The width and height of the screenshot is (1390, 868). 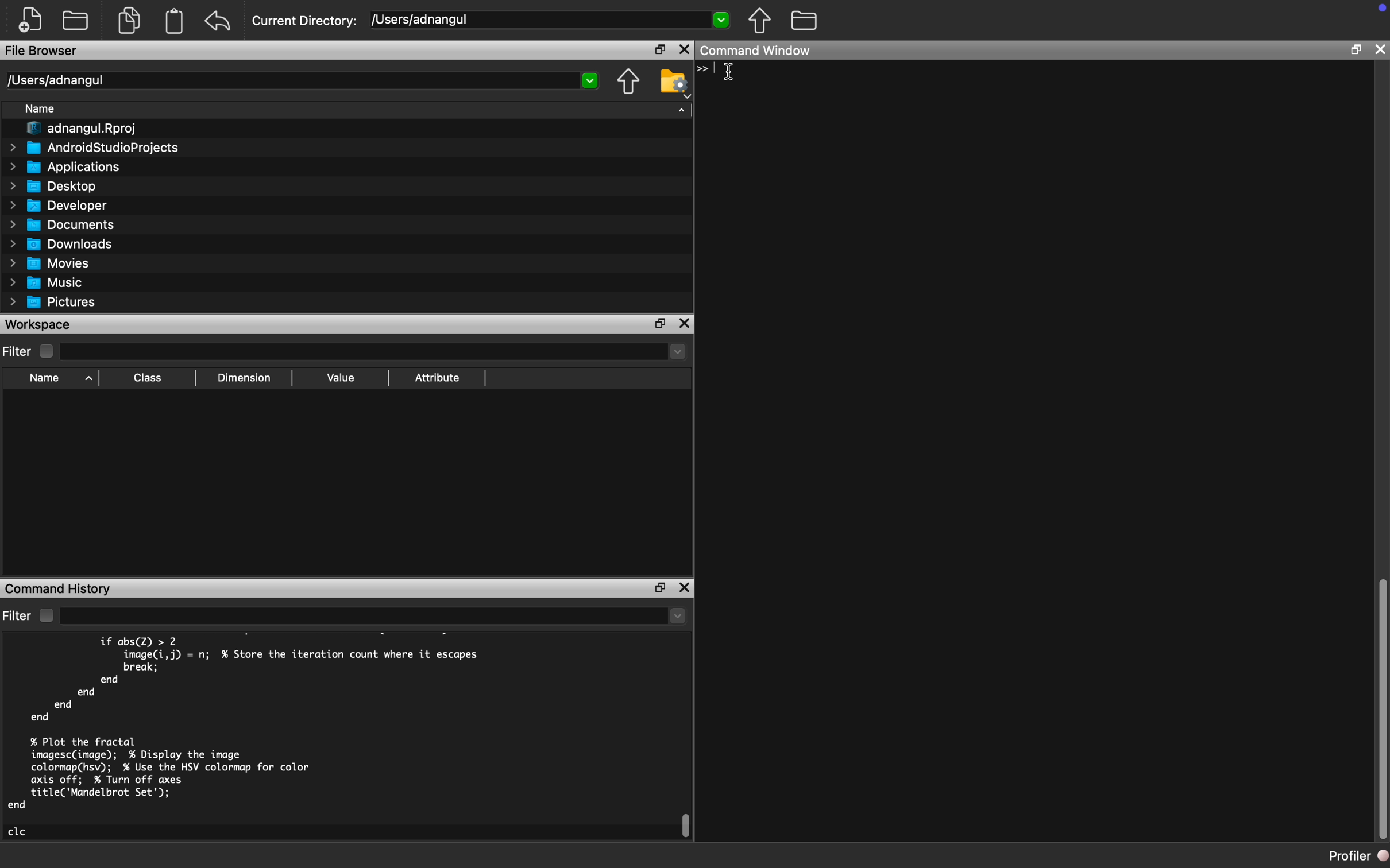 What do you see at coordinates (45, 378) in the screenshot?
I see `Name` at bounding box center [45, 378].